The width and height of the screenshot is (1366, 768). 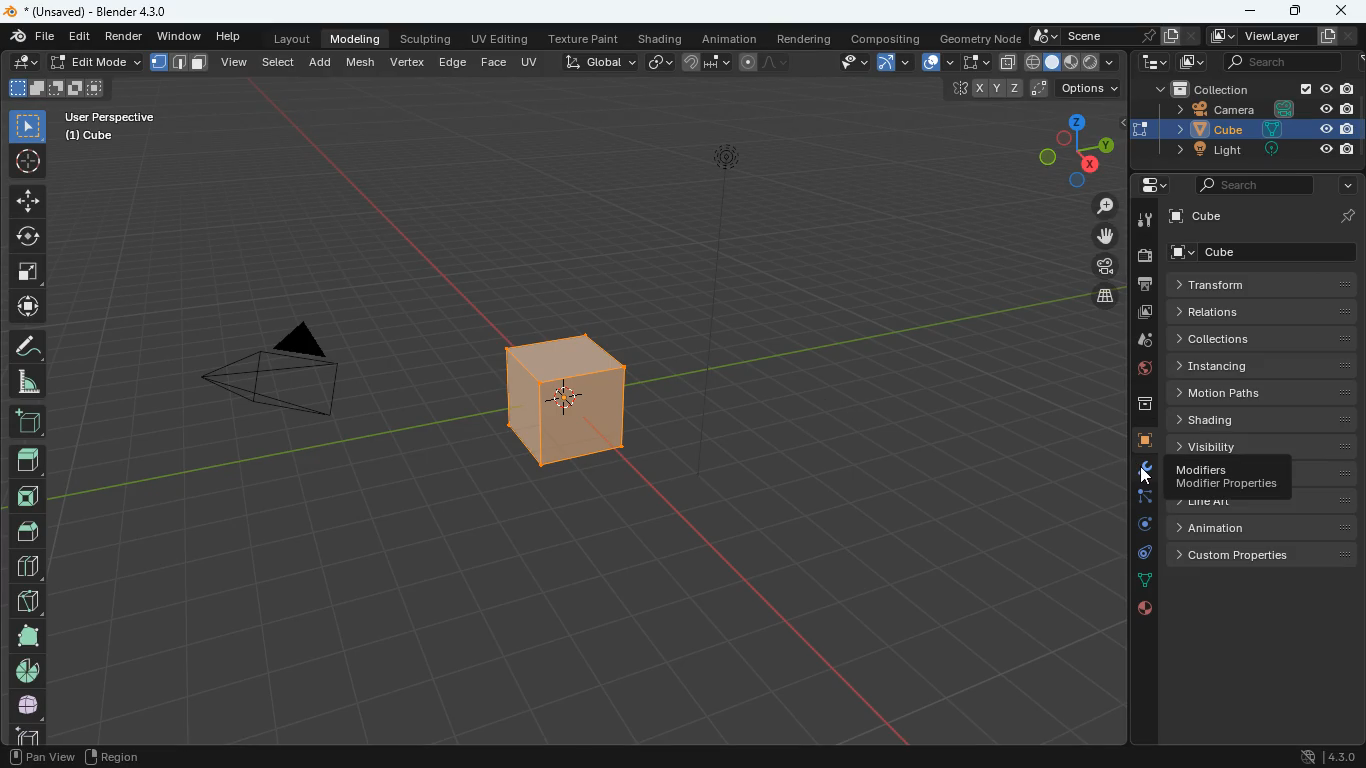 What do you see at coordinates (1154, 185) in the screenshot?
I see `settings` at bounding box center [1154, 185].